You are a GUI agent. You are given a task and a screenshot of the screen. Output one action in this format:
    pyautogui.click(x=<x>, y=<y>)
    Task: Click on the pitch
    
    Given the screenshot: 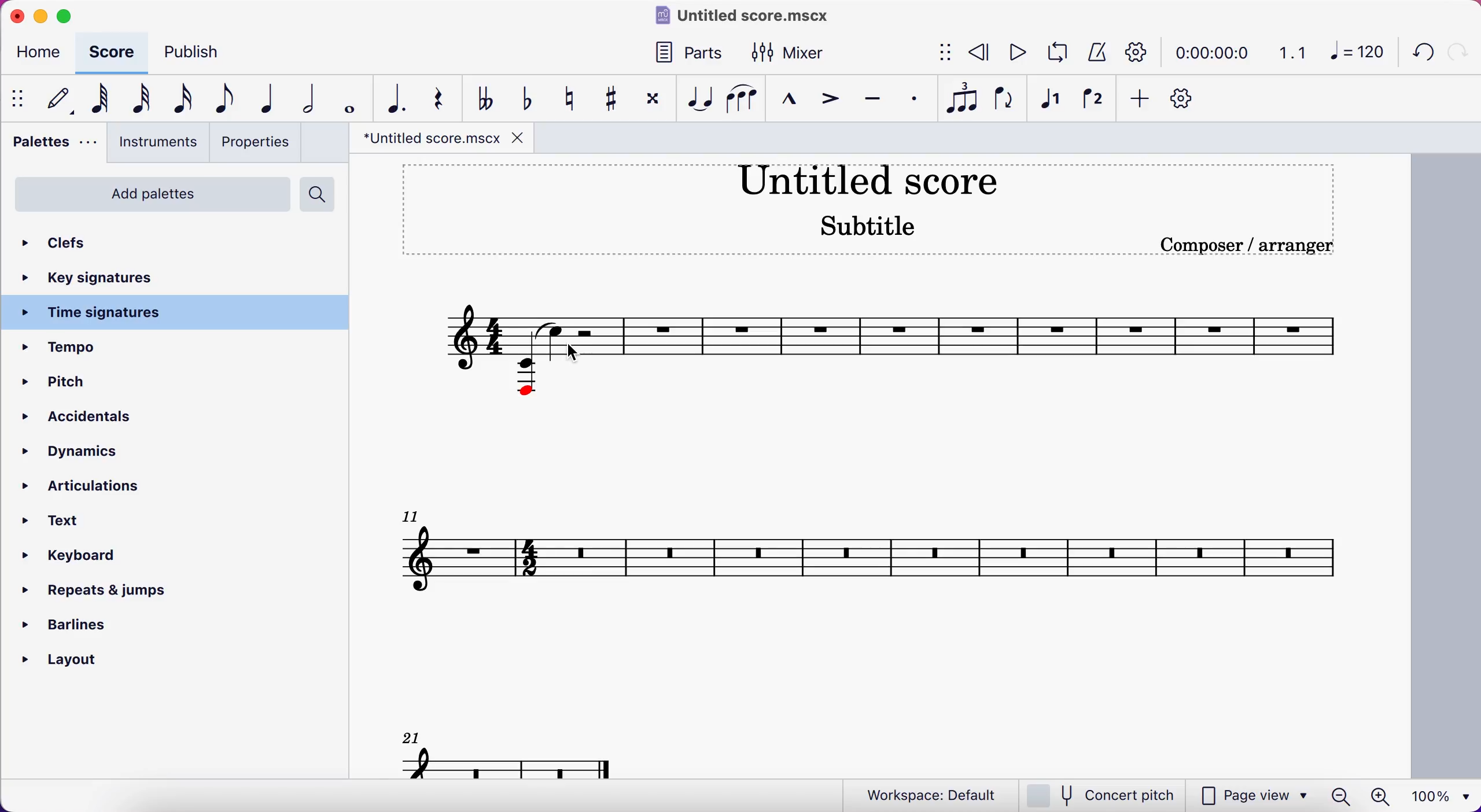 What is the action you would take?
    pyautogui.click(x=78, y=383)
    